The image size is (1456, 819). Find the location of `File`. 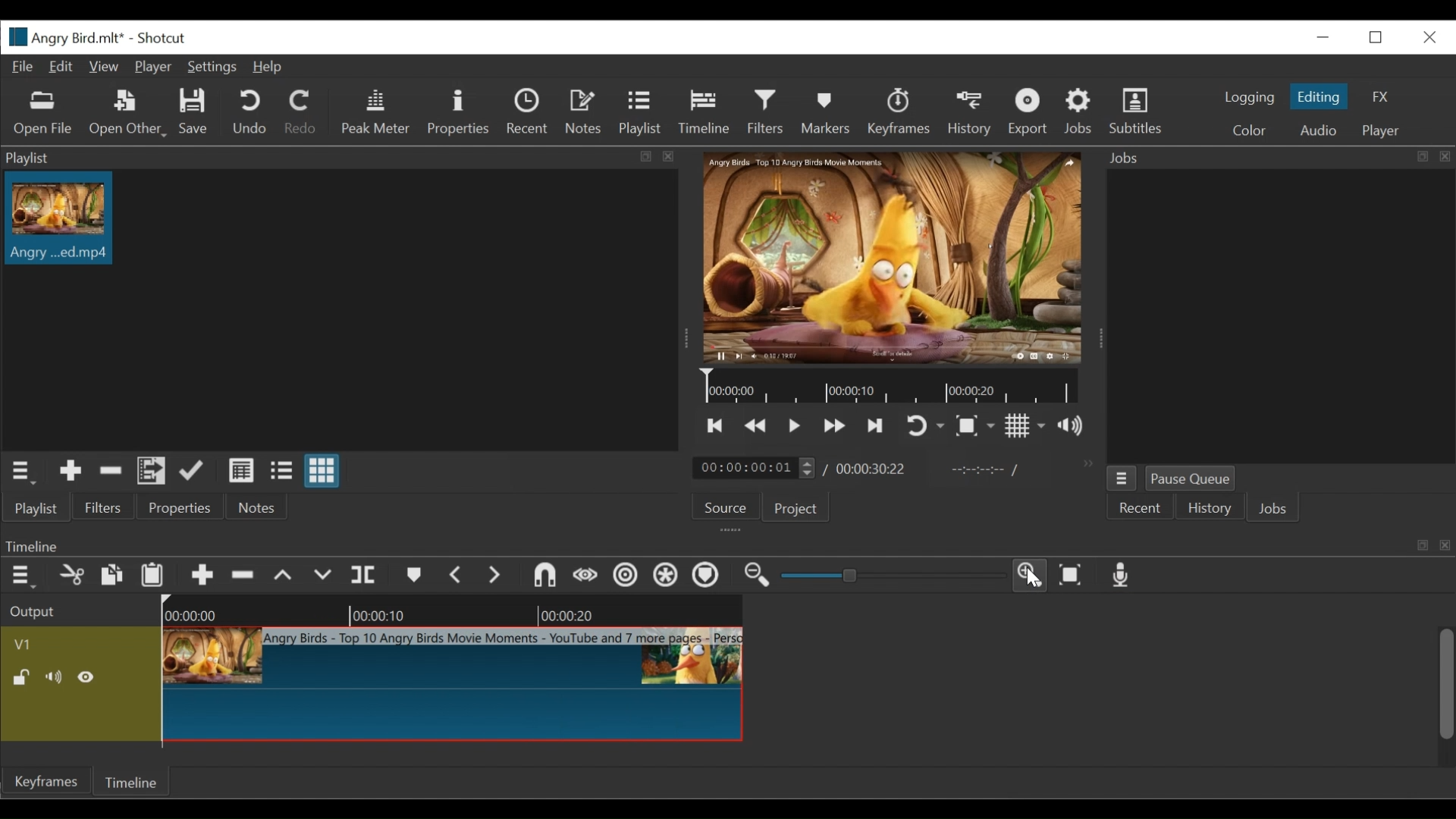

File is located at coordinates (24, 67).